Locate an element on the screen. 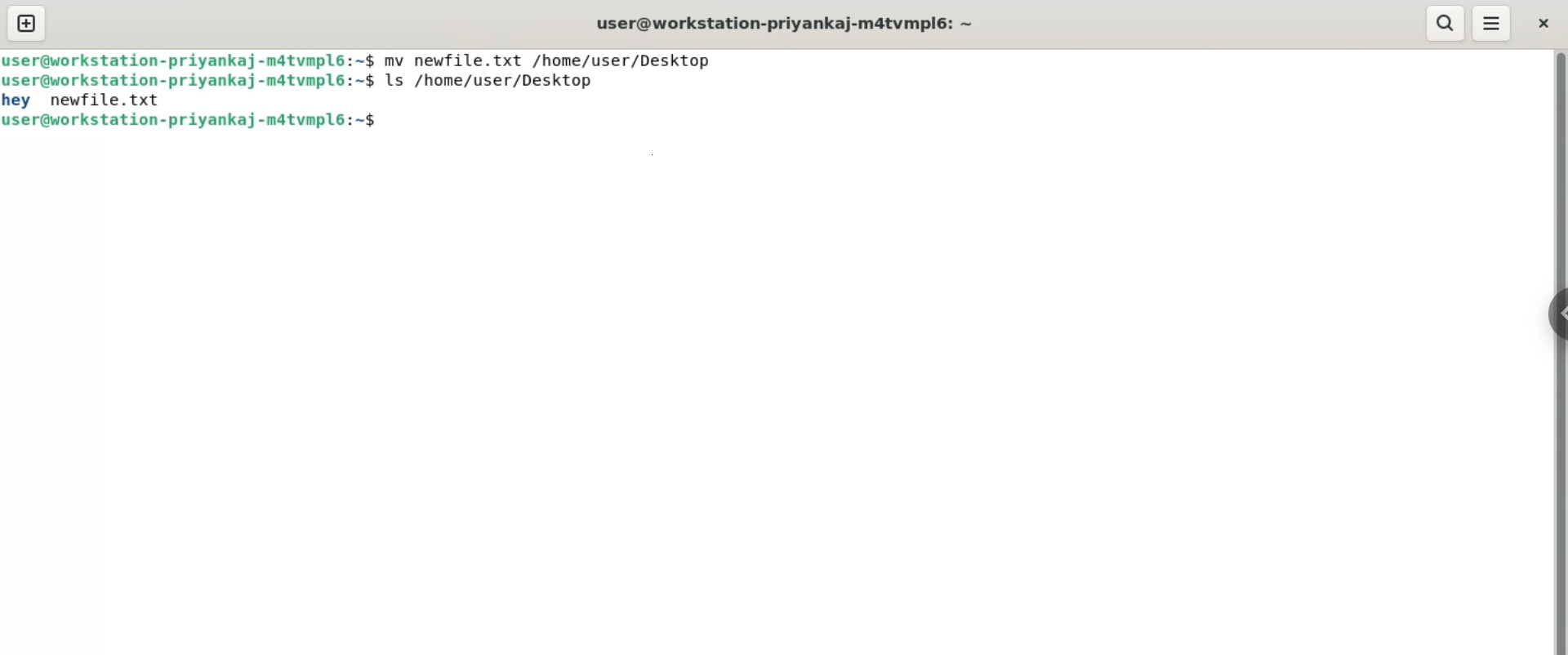  user@workstation-priyankaj-matvmpl6:~ is located at coordinates (790, 26).